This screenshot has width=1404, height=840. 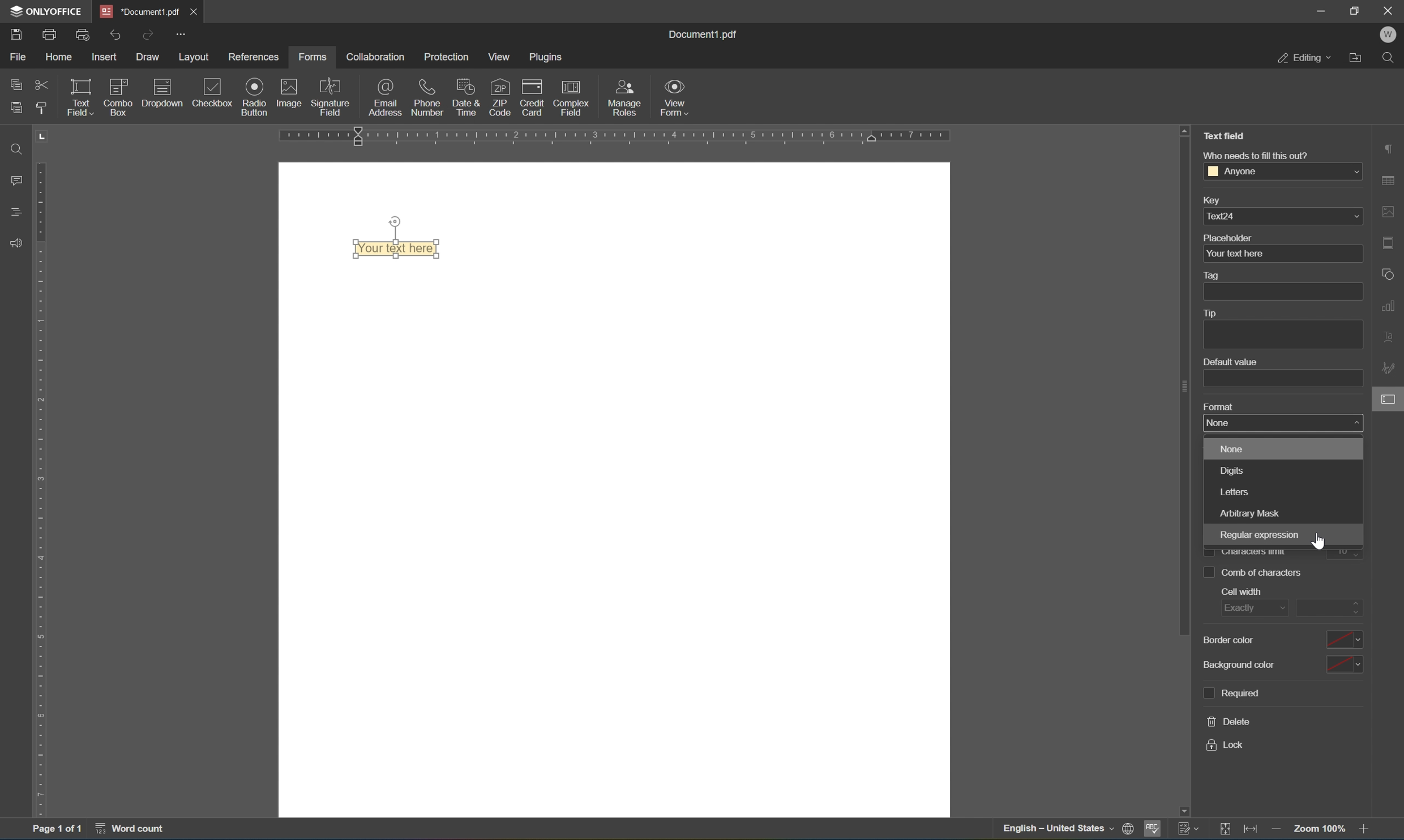 I want to click on select border color, so click(x=1344, y=638).